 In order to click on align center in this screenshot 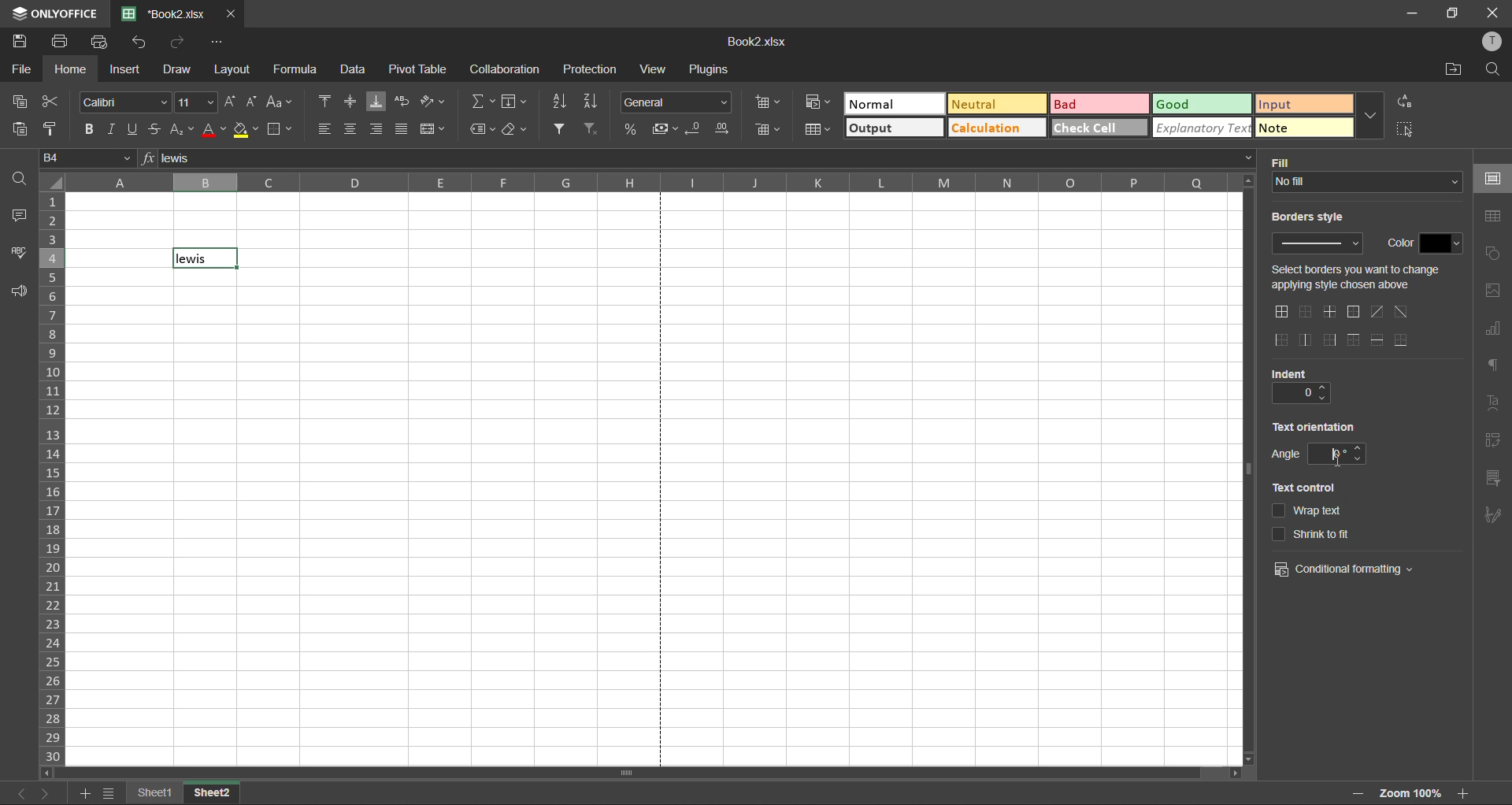, I will do `click(354, 128)`.